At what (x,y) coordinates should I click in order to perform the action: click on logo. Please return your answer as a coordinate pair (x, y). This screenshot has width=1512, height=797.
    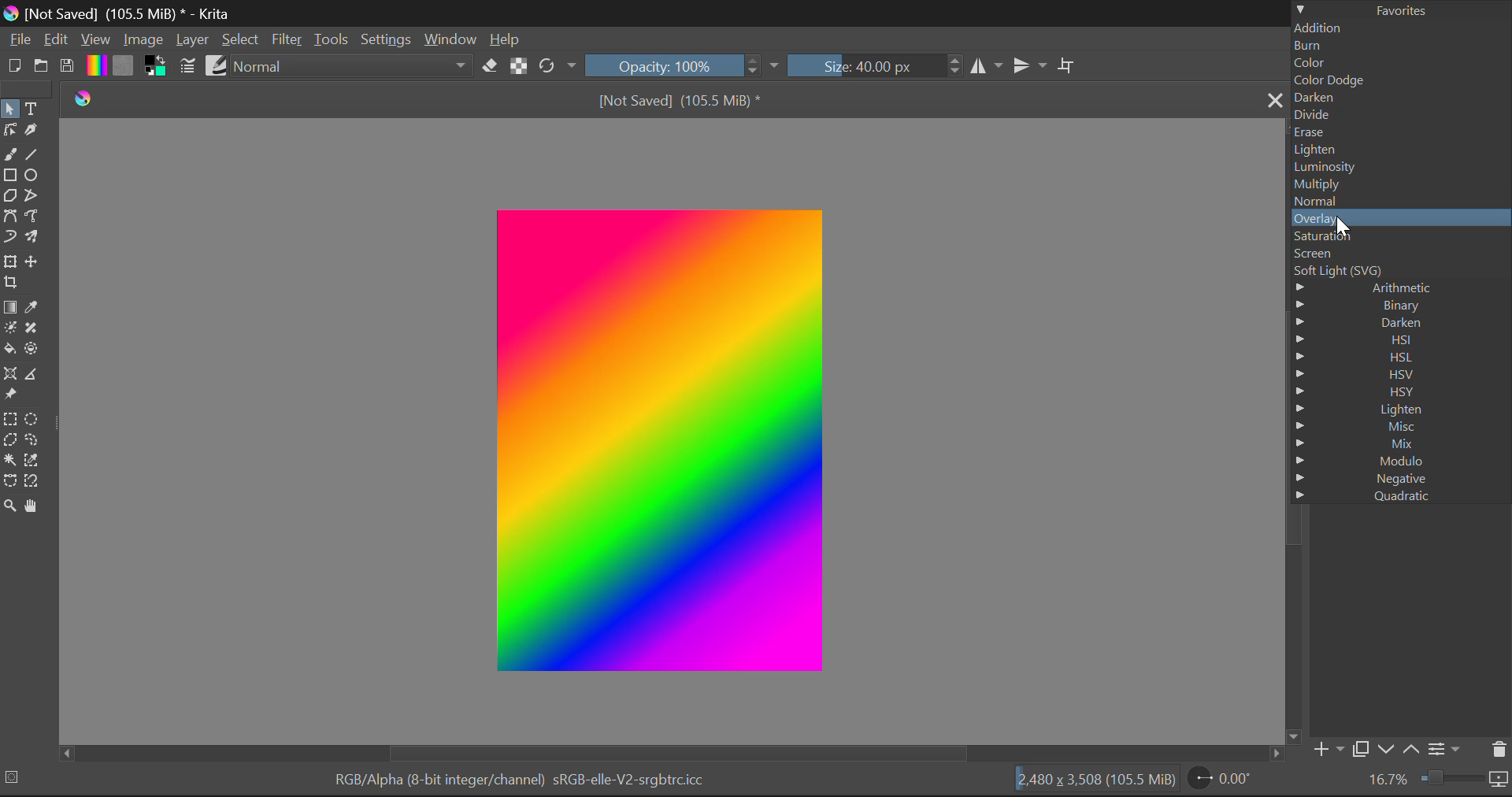
    Looking at the image, I should click on (11, 15).